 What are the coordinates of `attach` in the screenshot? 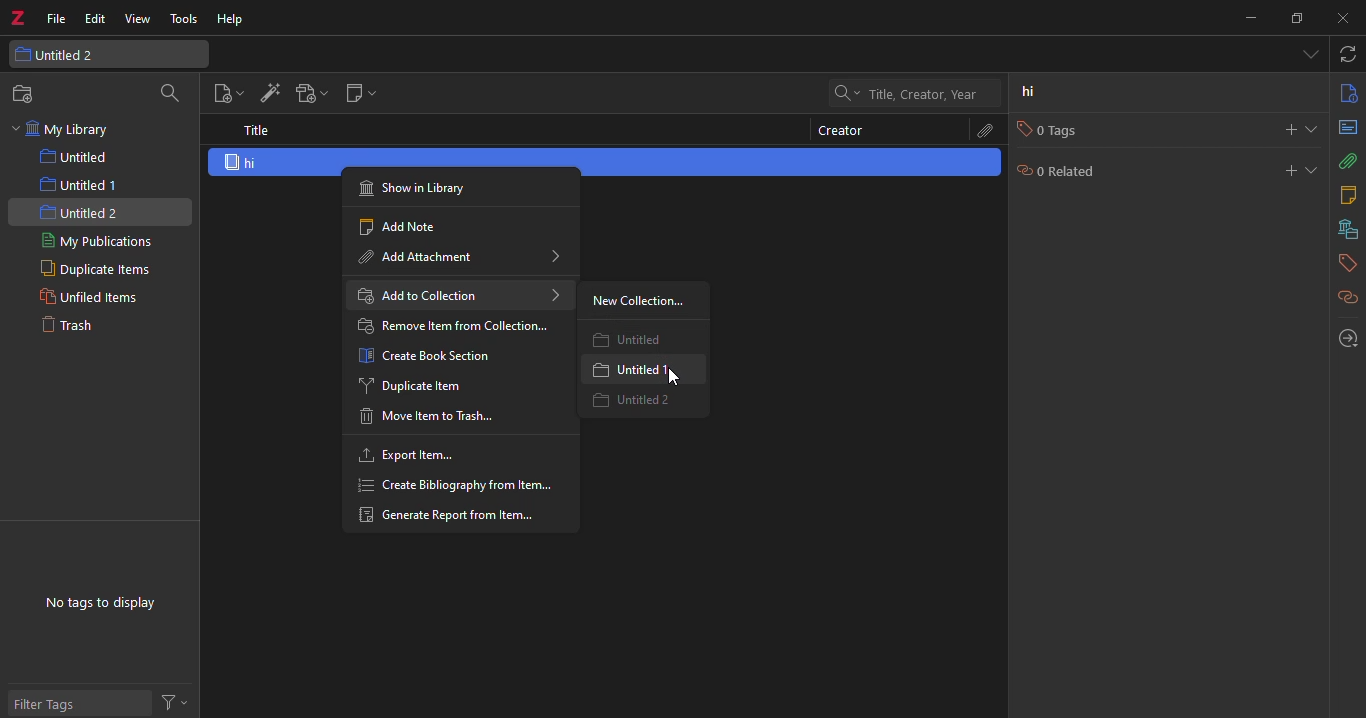 It's located at (1347, 163).